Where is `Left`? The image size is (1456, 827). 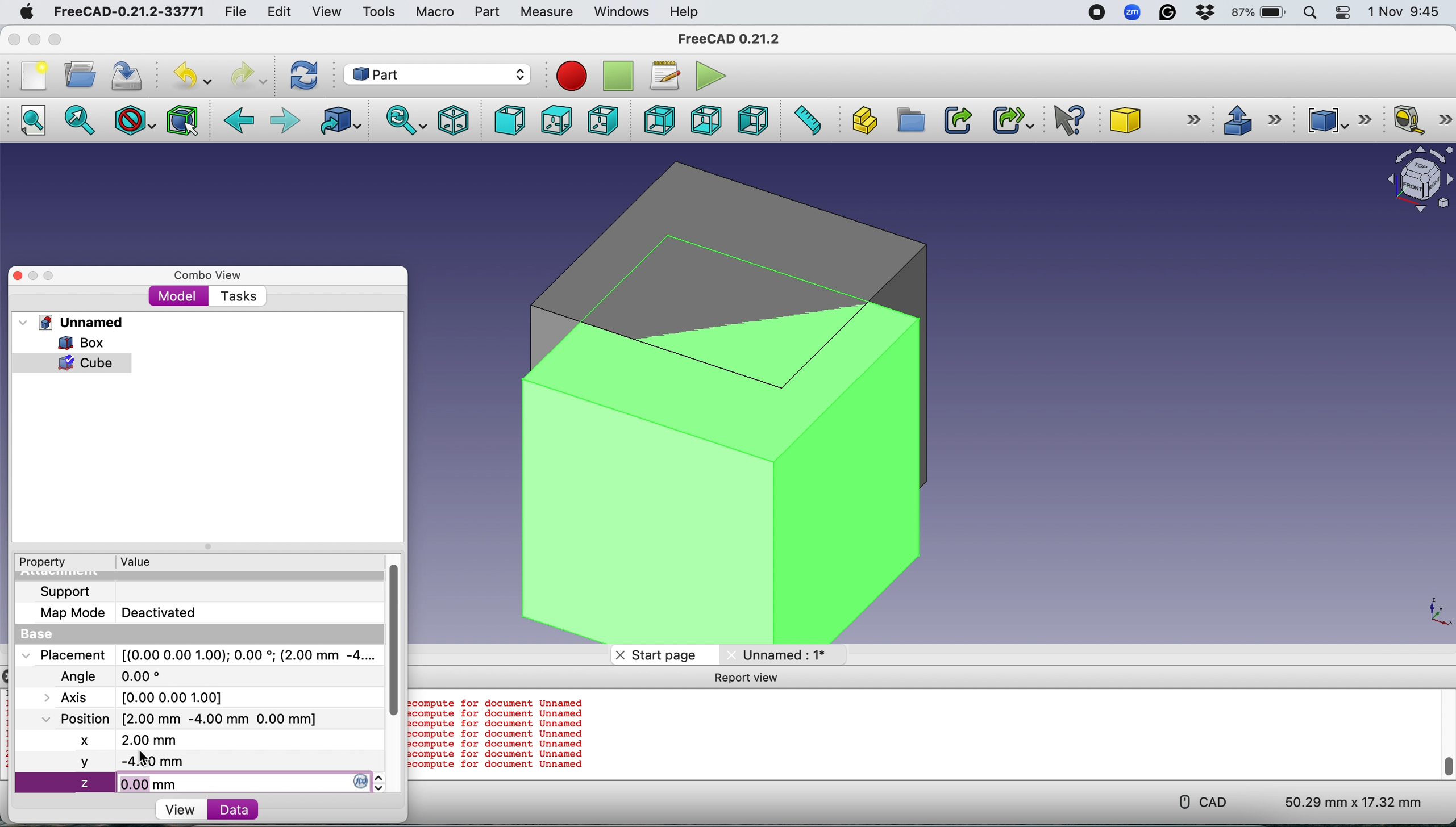
Left is located at coordinates (752, 120).